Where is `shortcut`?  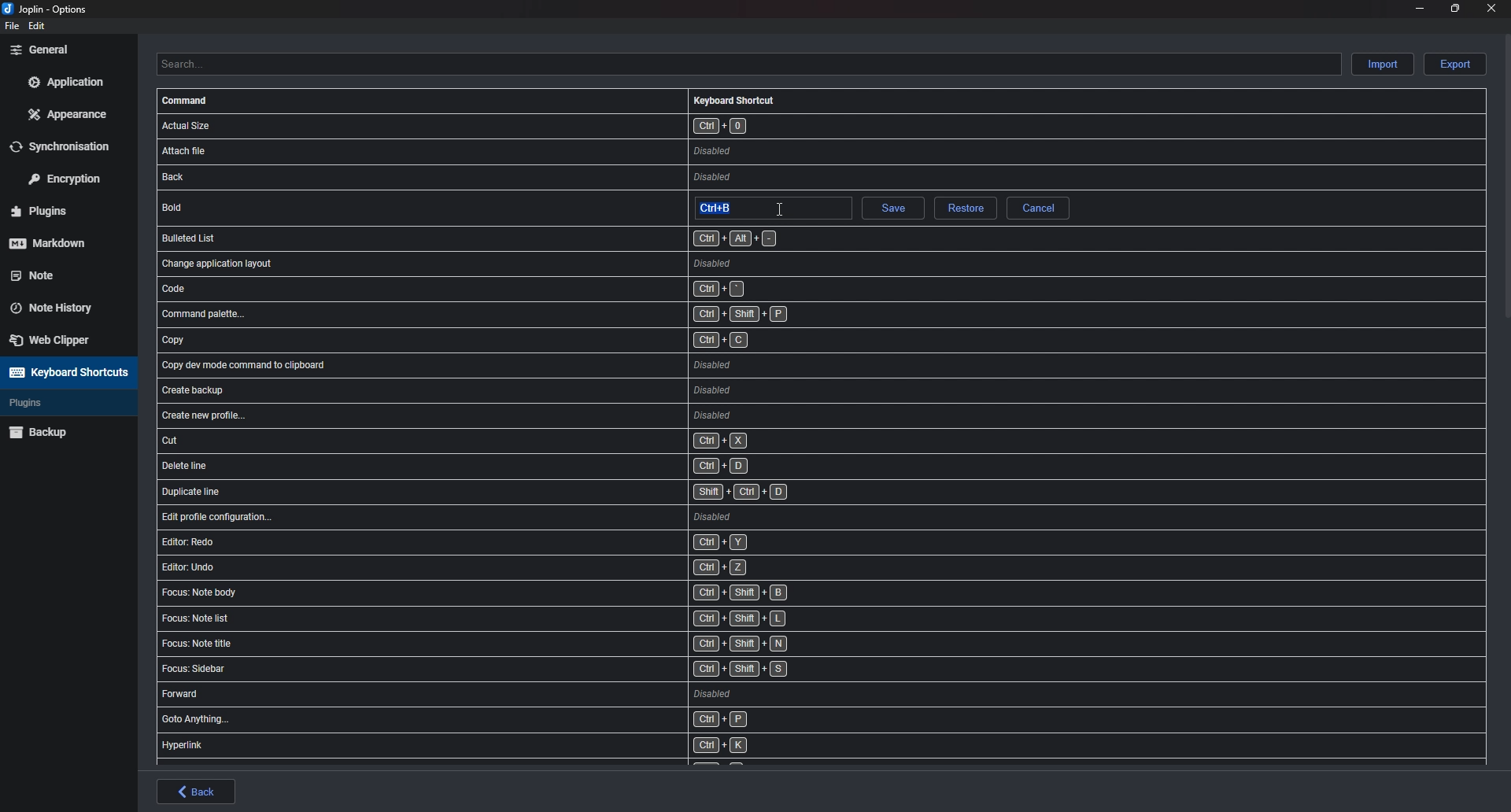
shortcut is located at coordinates (519, 695).